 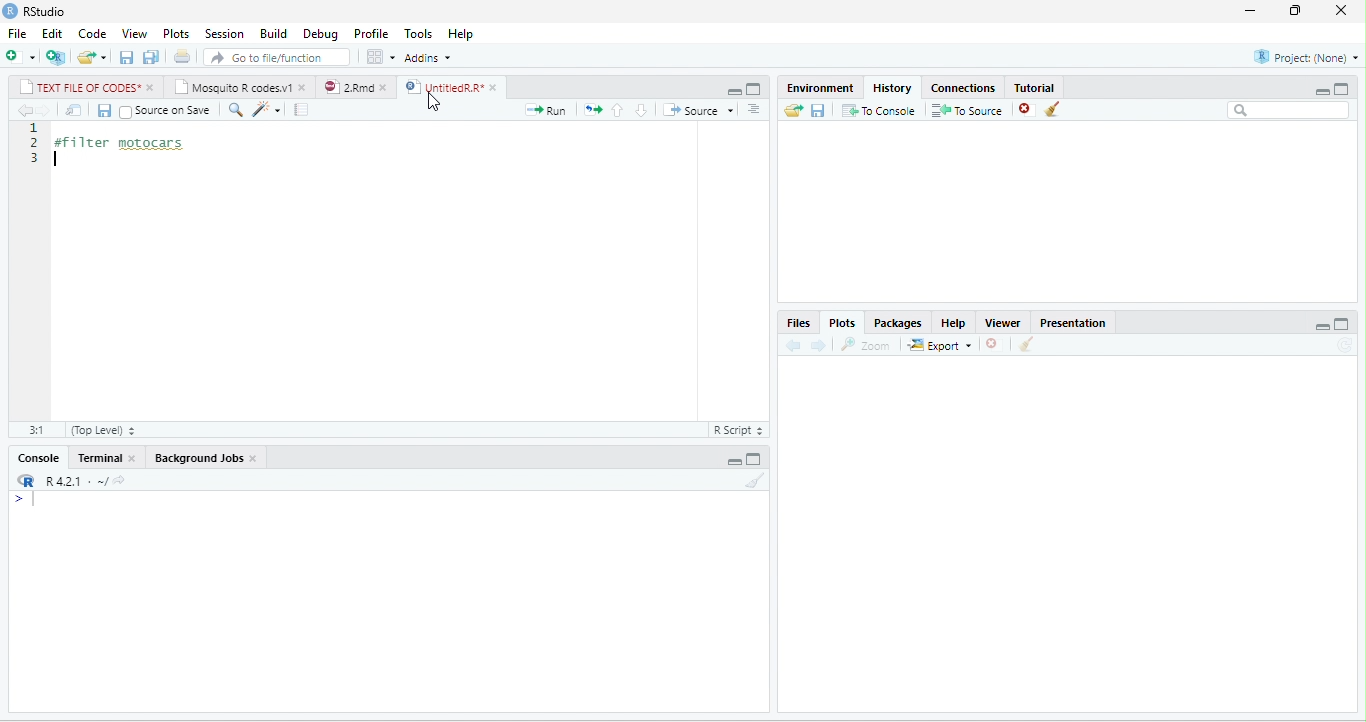 What do you see at coordinates (10, 11) in the screenshot?
I see `logo` at bounding box center [10, 11].